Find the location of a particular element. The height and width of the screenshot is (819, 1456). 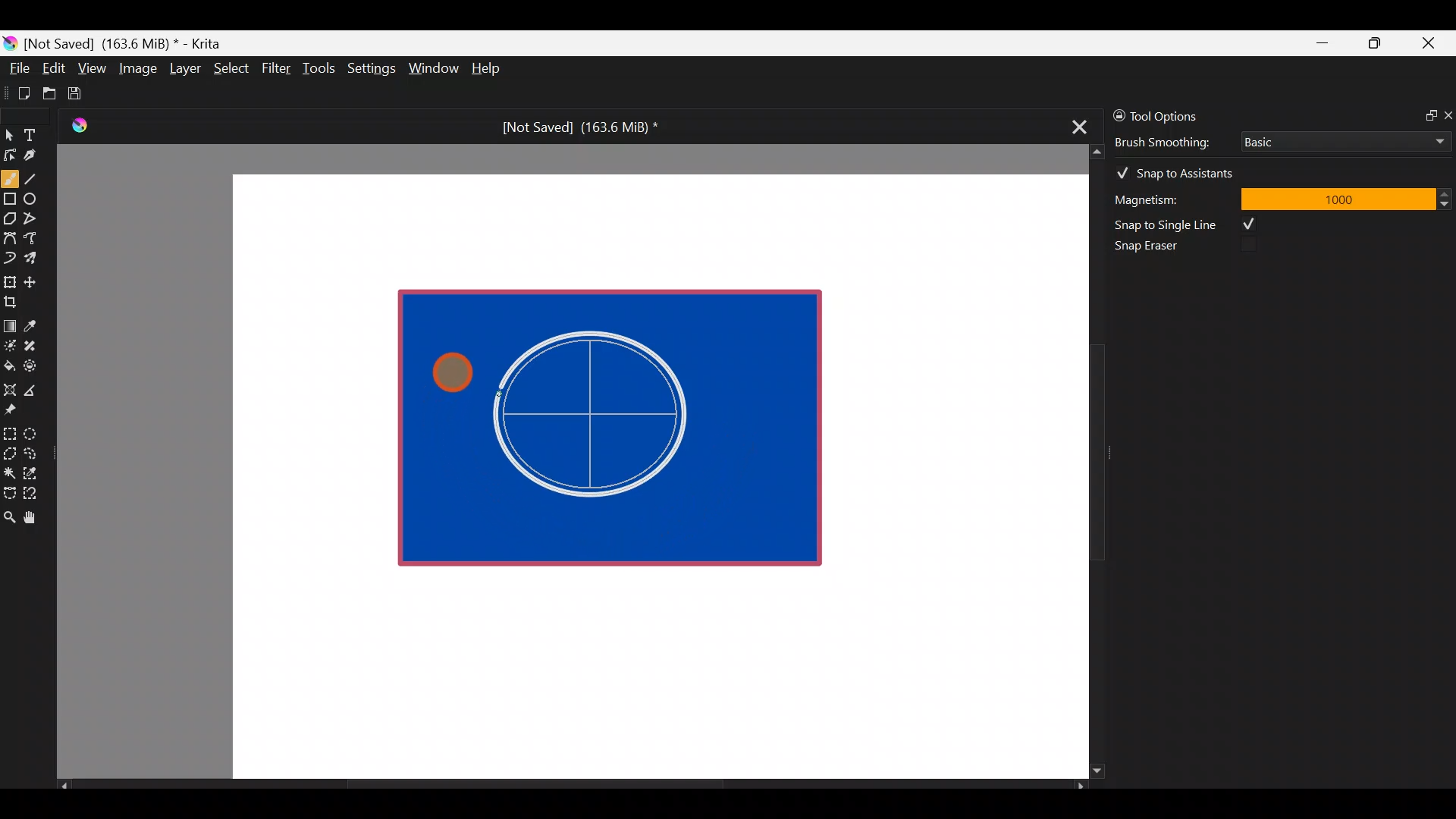

Move a layer is located at coordinates (35, 280).